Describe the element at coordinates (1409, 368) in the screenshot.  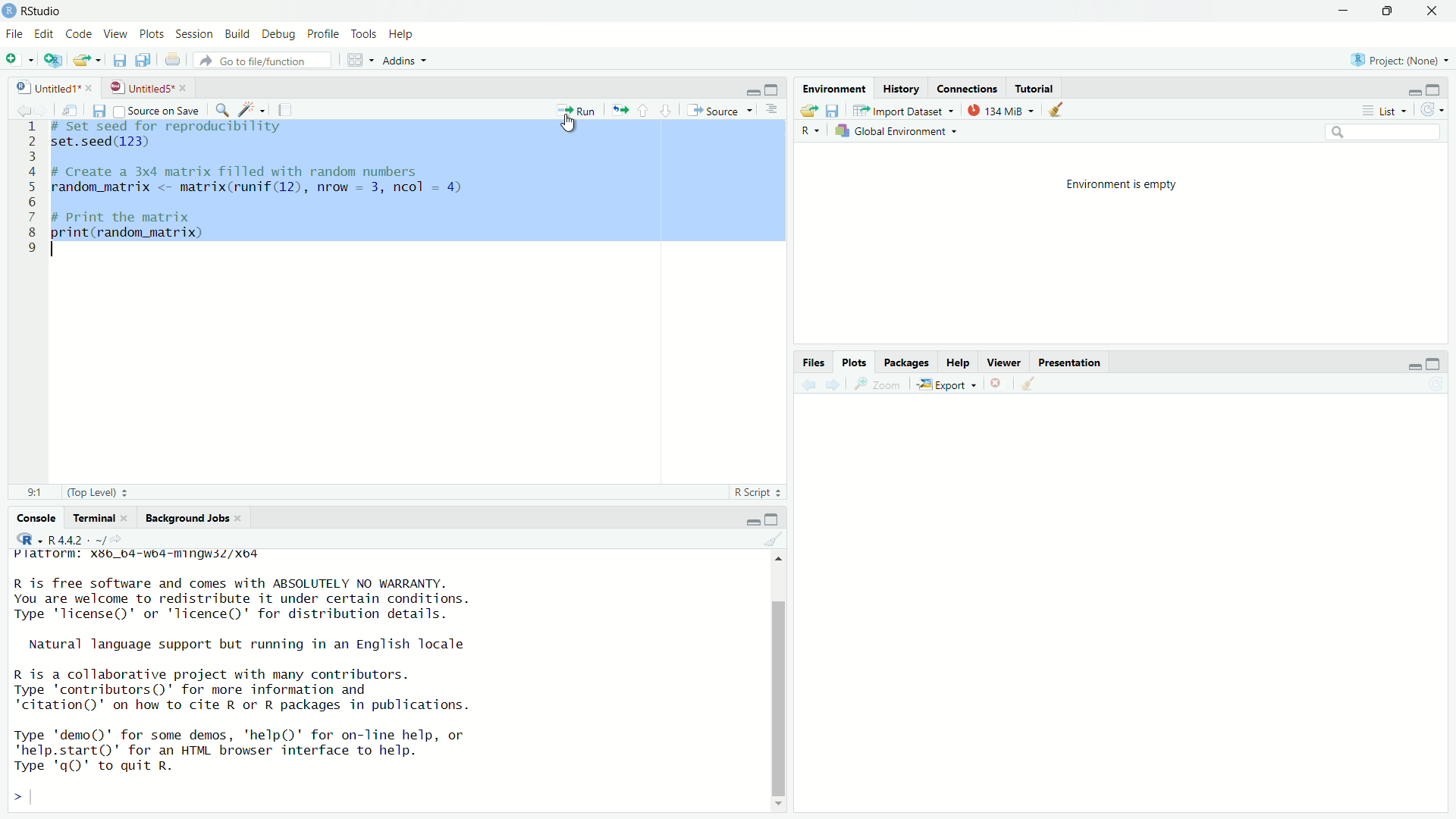
I see `minimise` at that location.